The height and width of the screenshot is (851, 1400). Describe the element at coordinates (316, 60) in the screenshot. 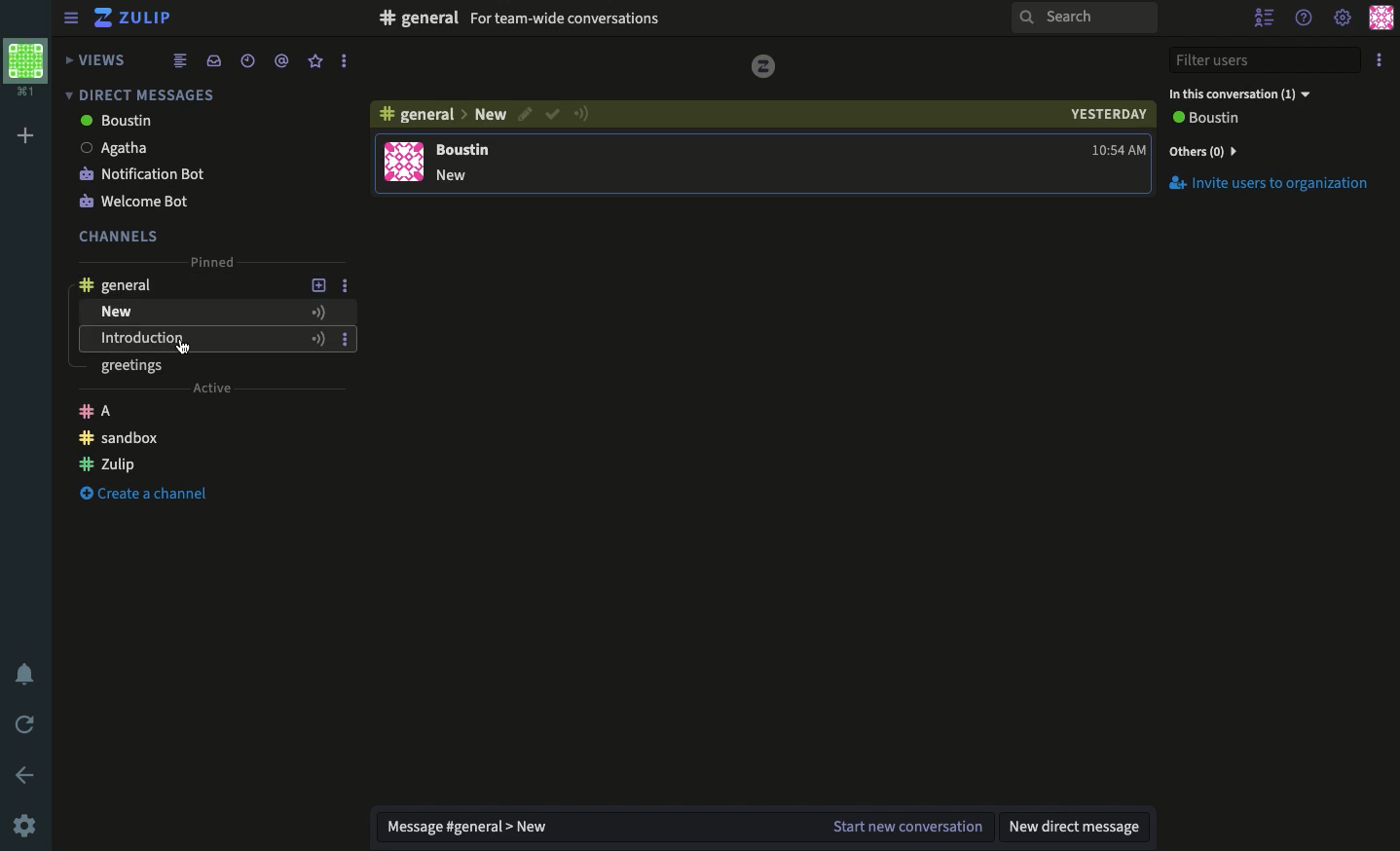

I see `Favorite` at that location.